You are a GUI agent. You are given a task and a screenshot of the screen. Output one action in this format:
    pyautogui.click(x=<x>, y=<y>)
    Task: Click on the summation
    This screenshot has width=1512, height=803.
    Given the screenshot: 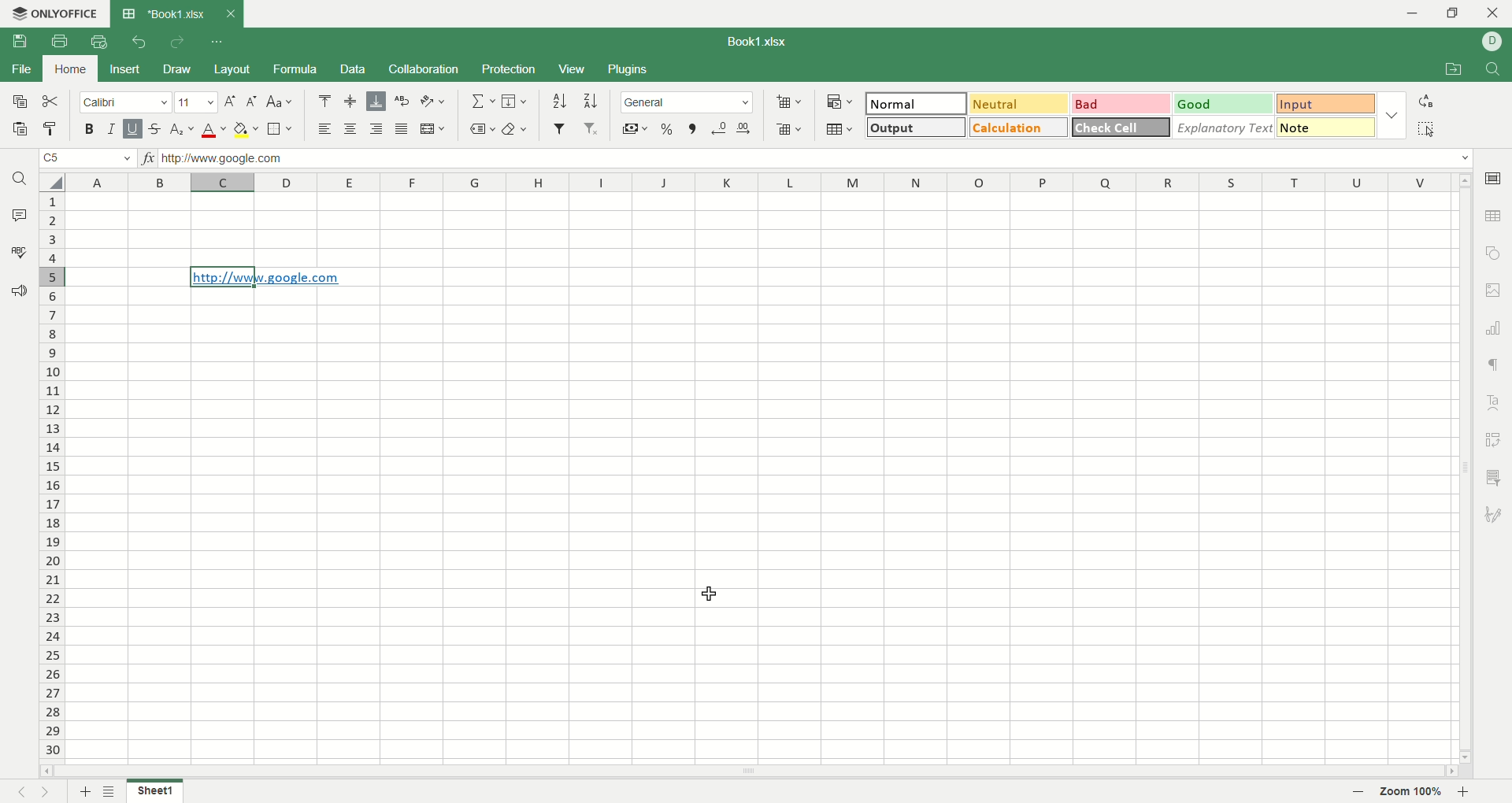 What is the action you would take?
    pyautogui.click(x=481, y=102)
    